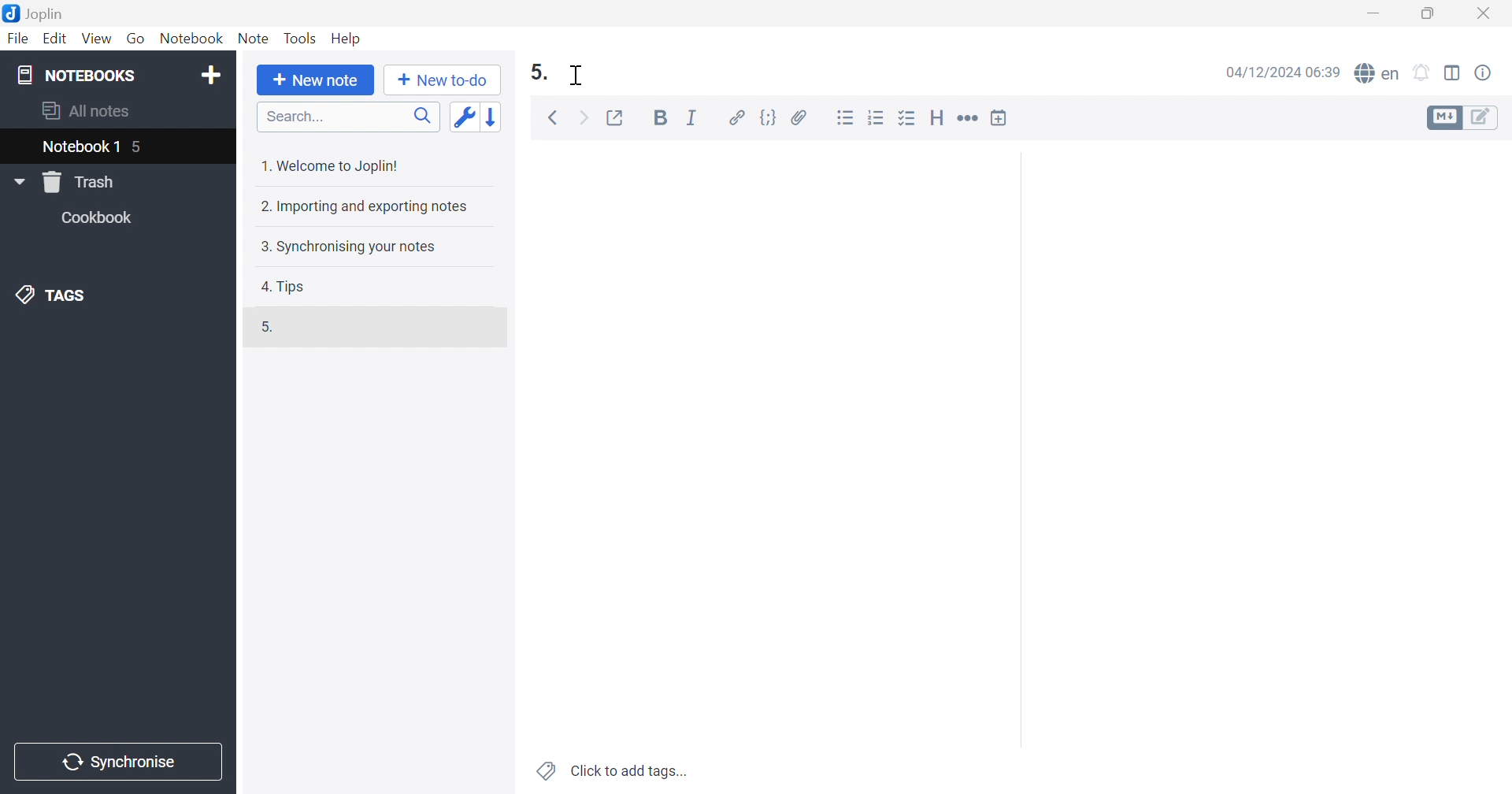  Describe the element at coordinates (39, 15) in the screenshot. I see `Joplin` at that location.